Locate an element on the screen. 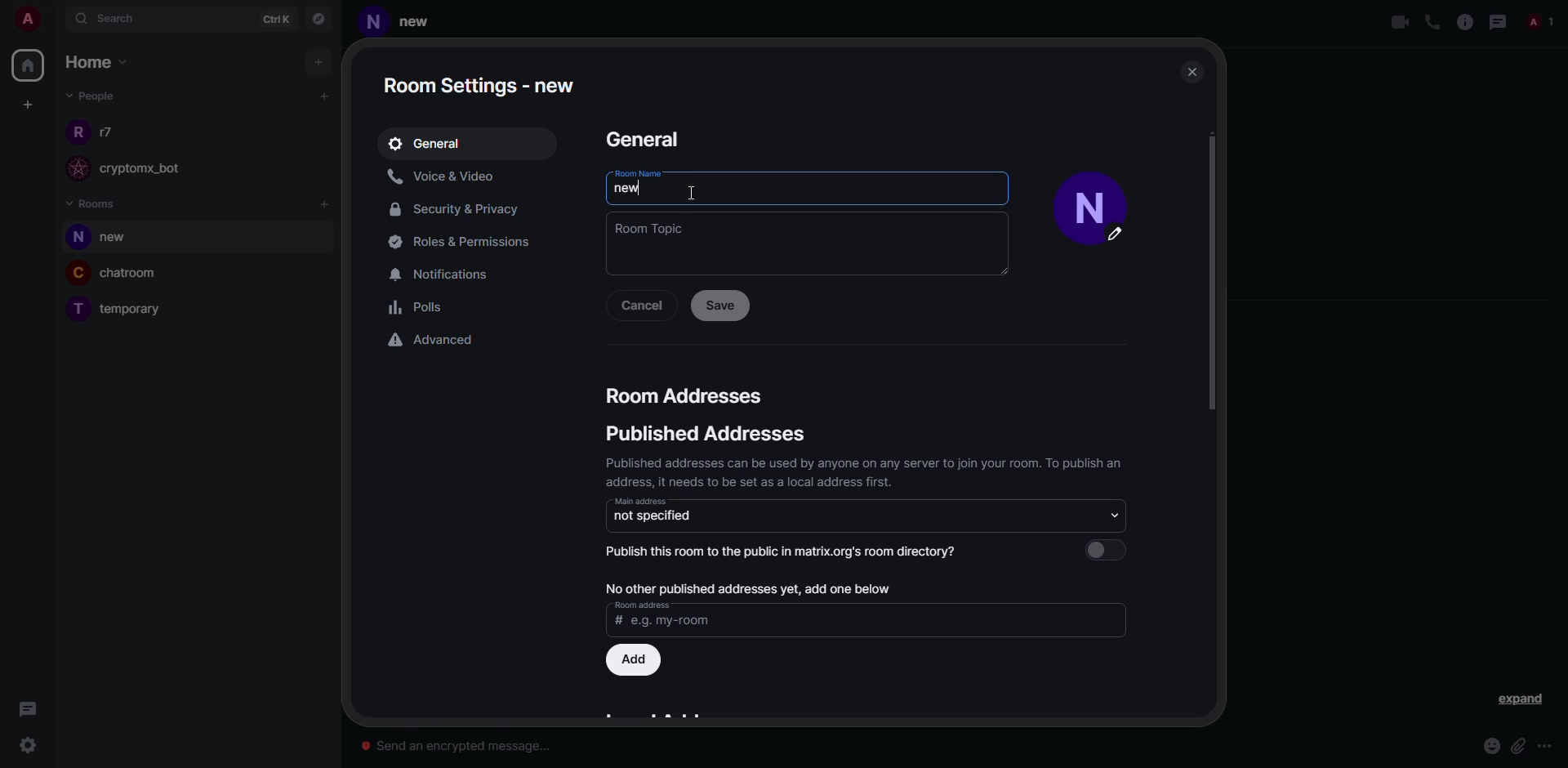 The width and height of the screenshot is (1568, 768). home is located at coordinates (100, 63).